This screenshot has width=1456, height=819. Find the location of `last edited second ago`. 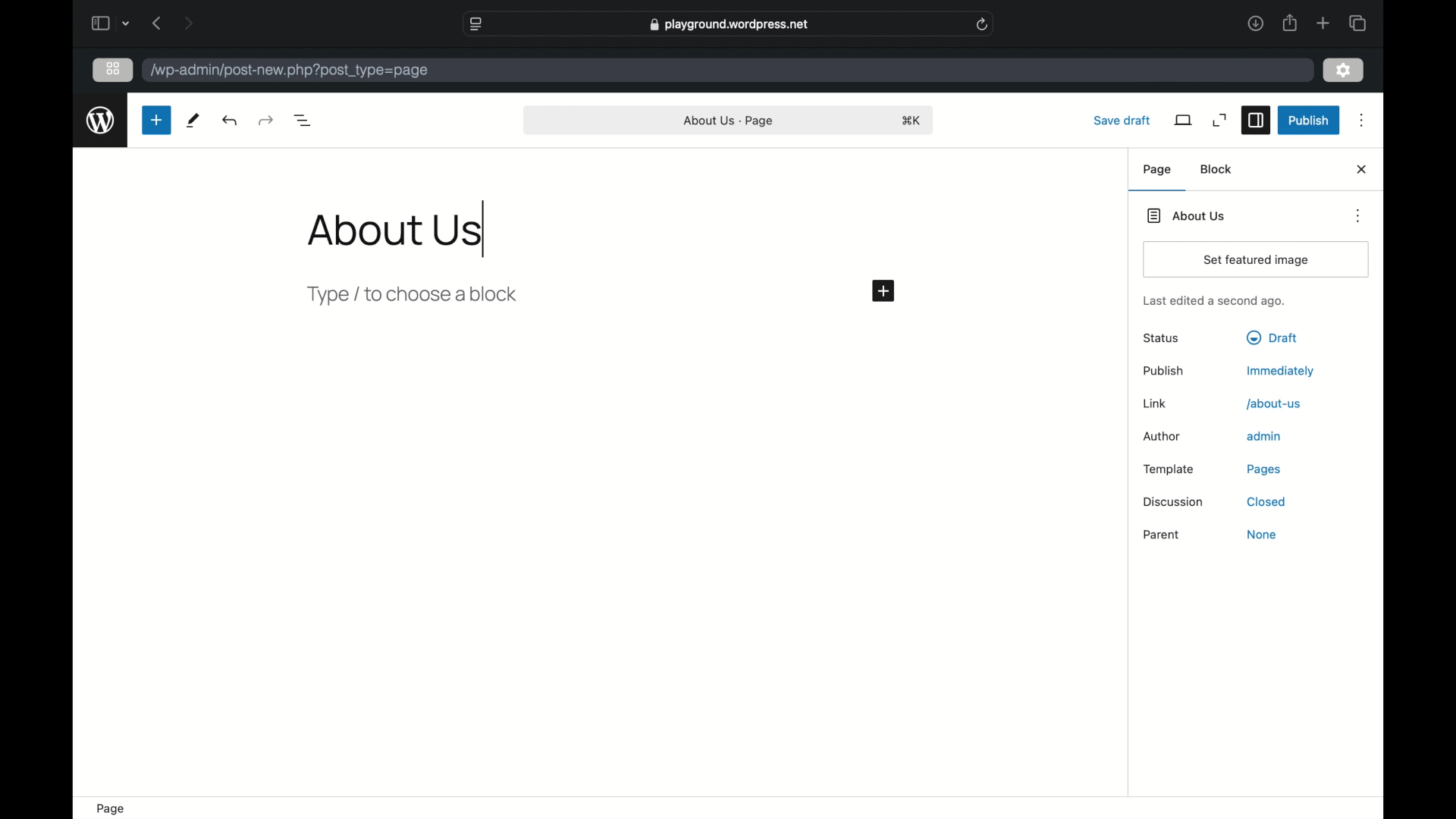

last edited second ago is located at coordinates (1213, 302).